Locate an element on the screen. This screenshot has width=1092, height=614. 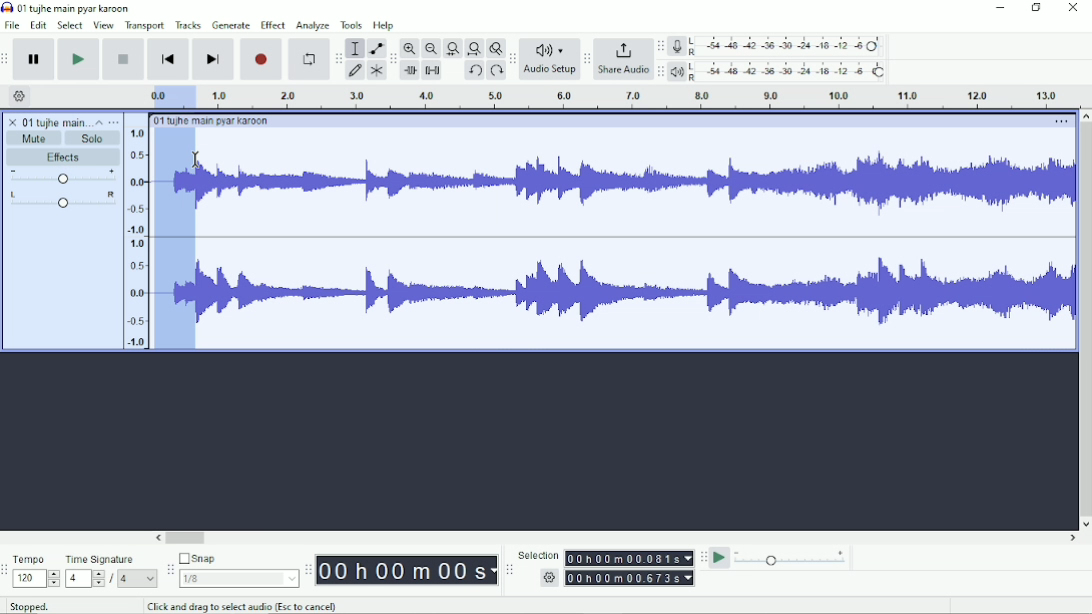
Playback Meter is located at coordinates (779, 71).